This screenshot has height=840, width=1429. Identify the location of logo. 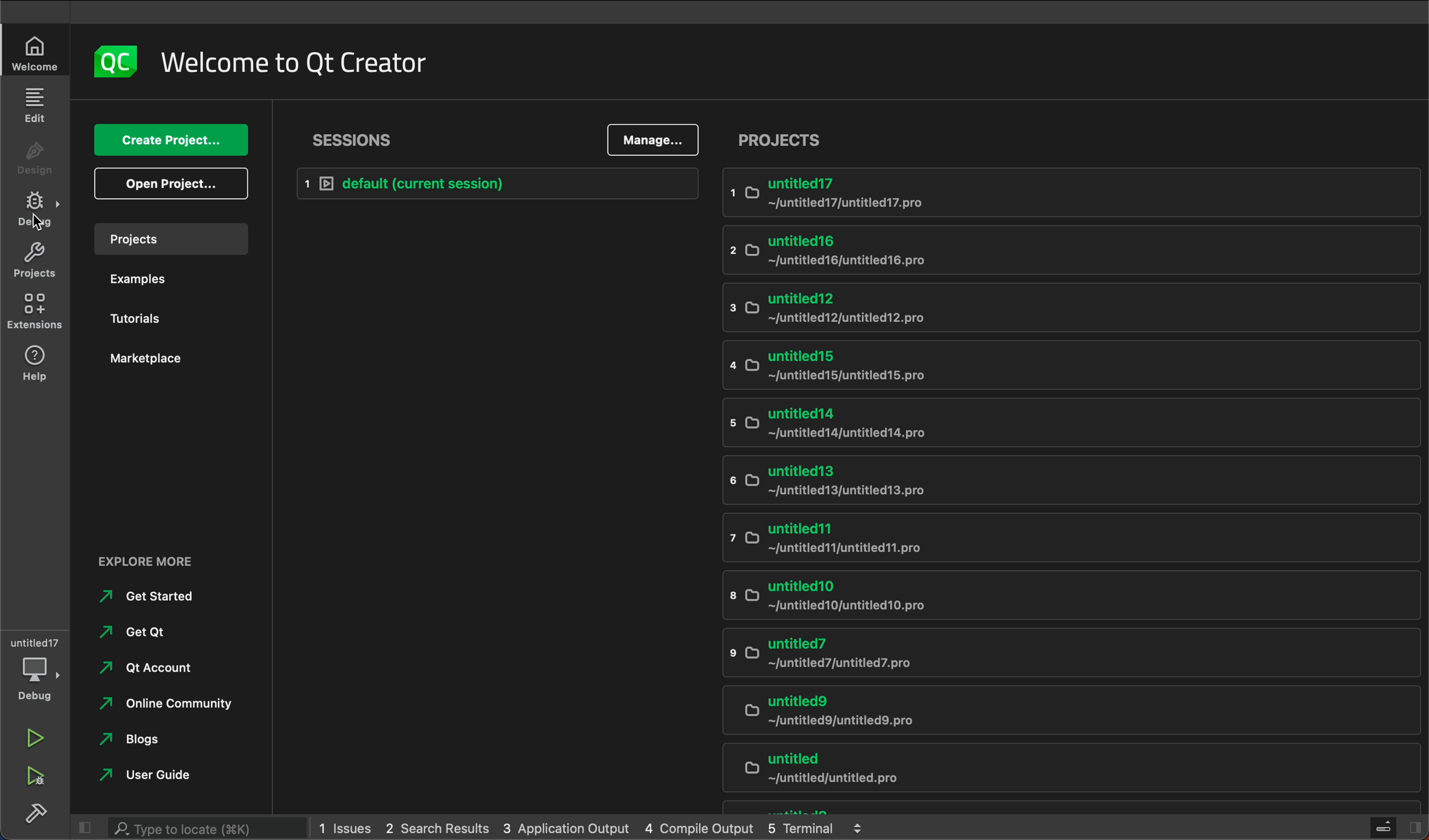
(116, 62).